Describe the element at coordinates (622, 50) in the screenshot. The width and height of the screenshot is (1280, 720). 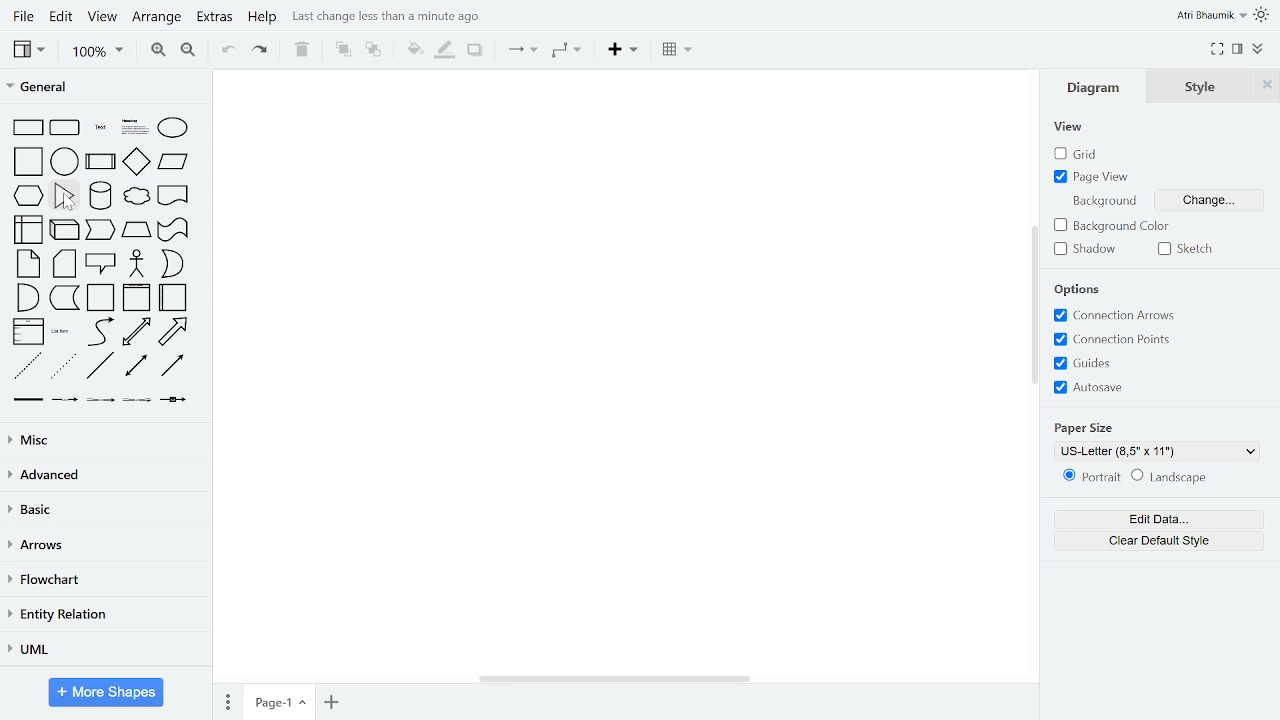
I see `insert` at that location.